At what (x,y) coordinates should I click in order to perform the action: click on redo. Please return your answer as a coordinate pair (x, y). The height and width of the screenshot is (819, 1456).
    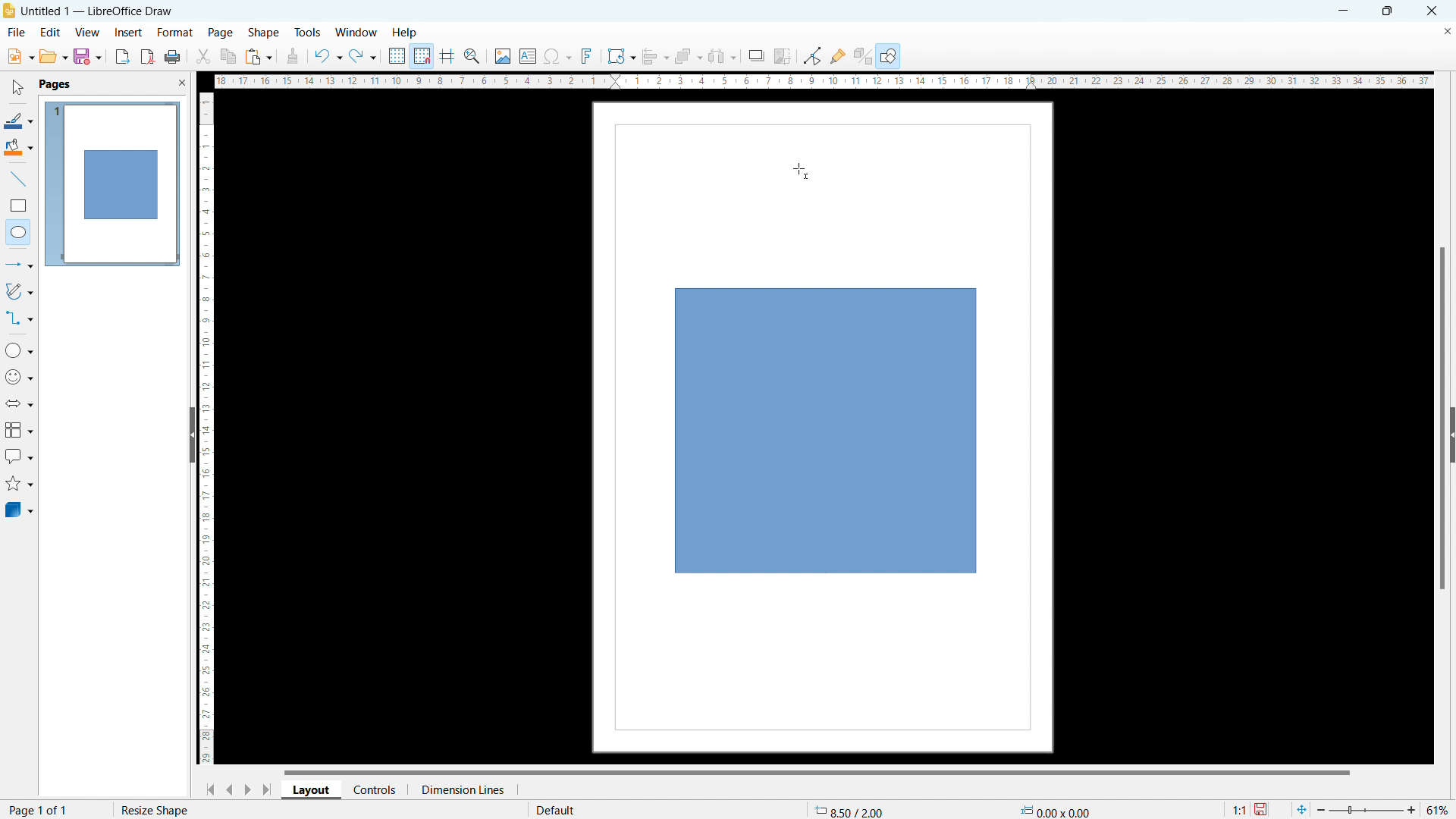
    Looking at the image, I should click on (362, 57).